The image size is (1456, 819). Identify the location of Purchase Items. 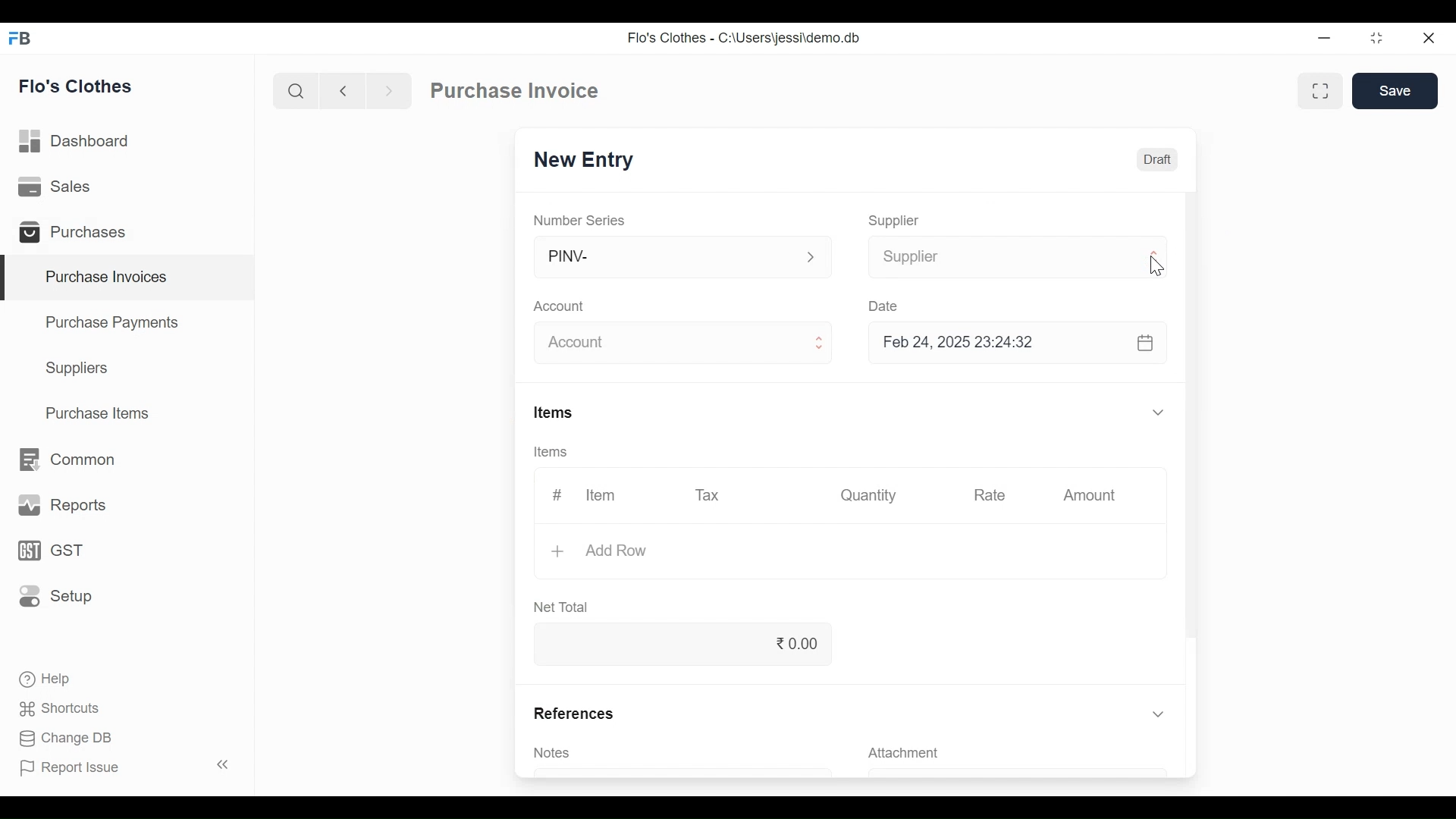
(101, 413).